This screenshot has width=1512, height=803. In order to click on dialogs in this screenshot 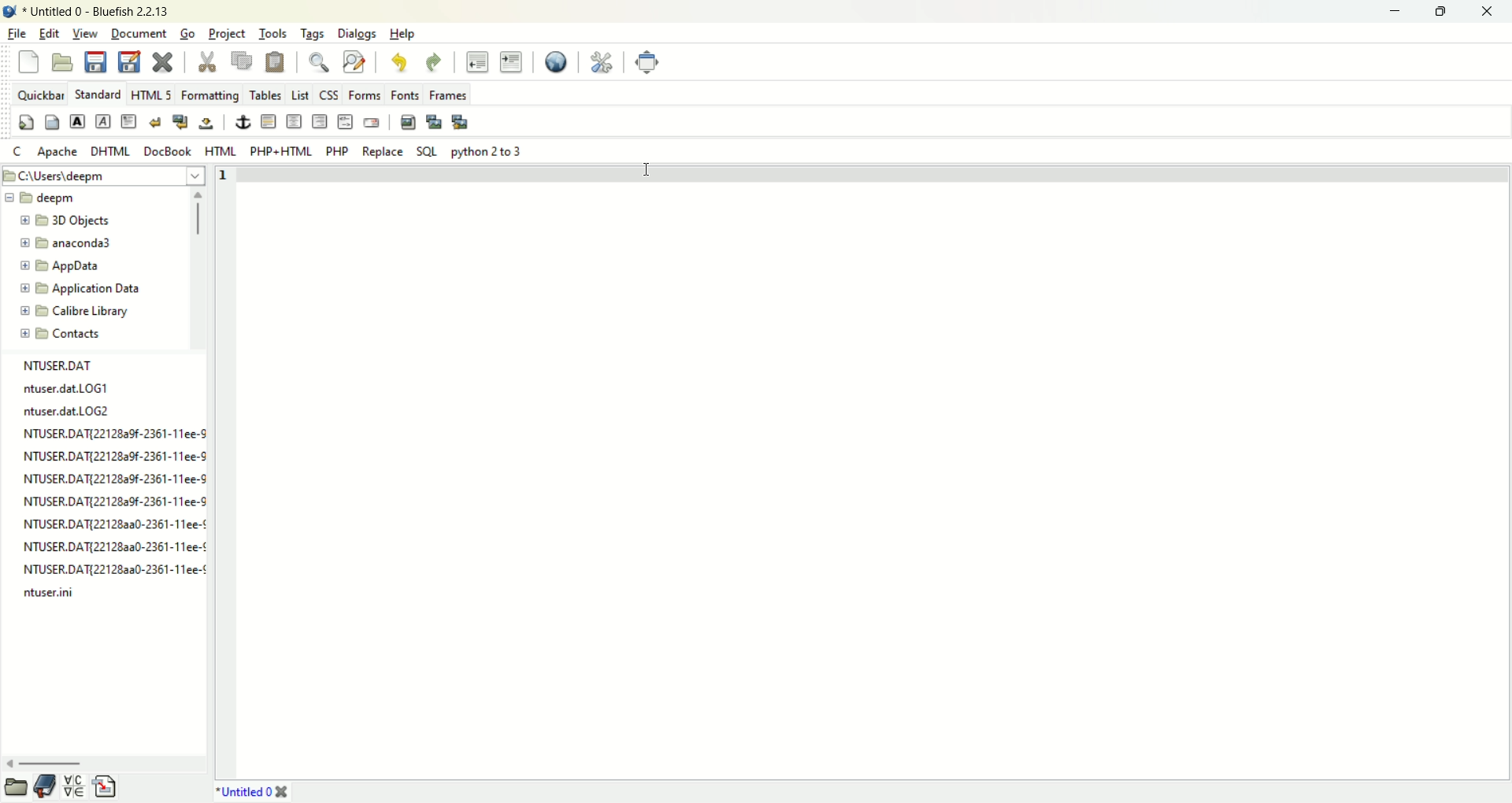, I will do `click(355, 33)`.